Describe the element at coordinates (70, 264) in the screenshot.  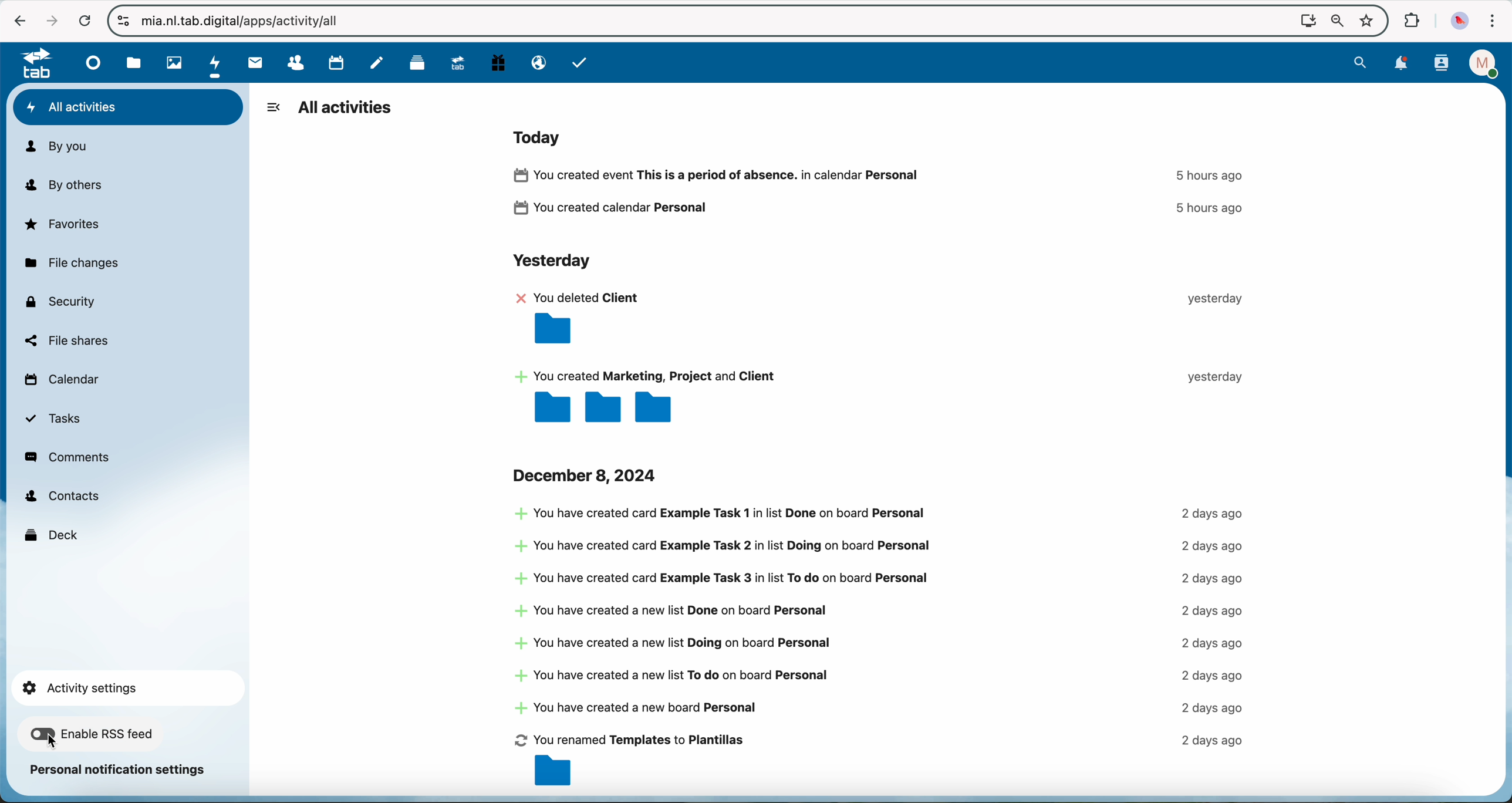
I see `file changes` at that location.